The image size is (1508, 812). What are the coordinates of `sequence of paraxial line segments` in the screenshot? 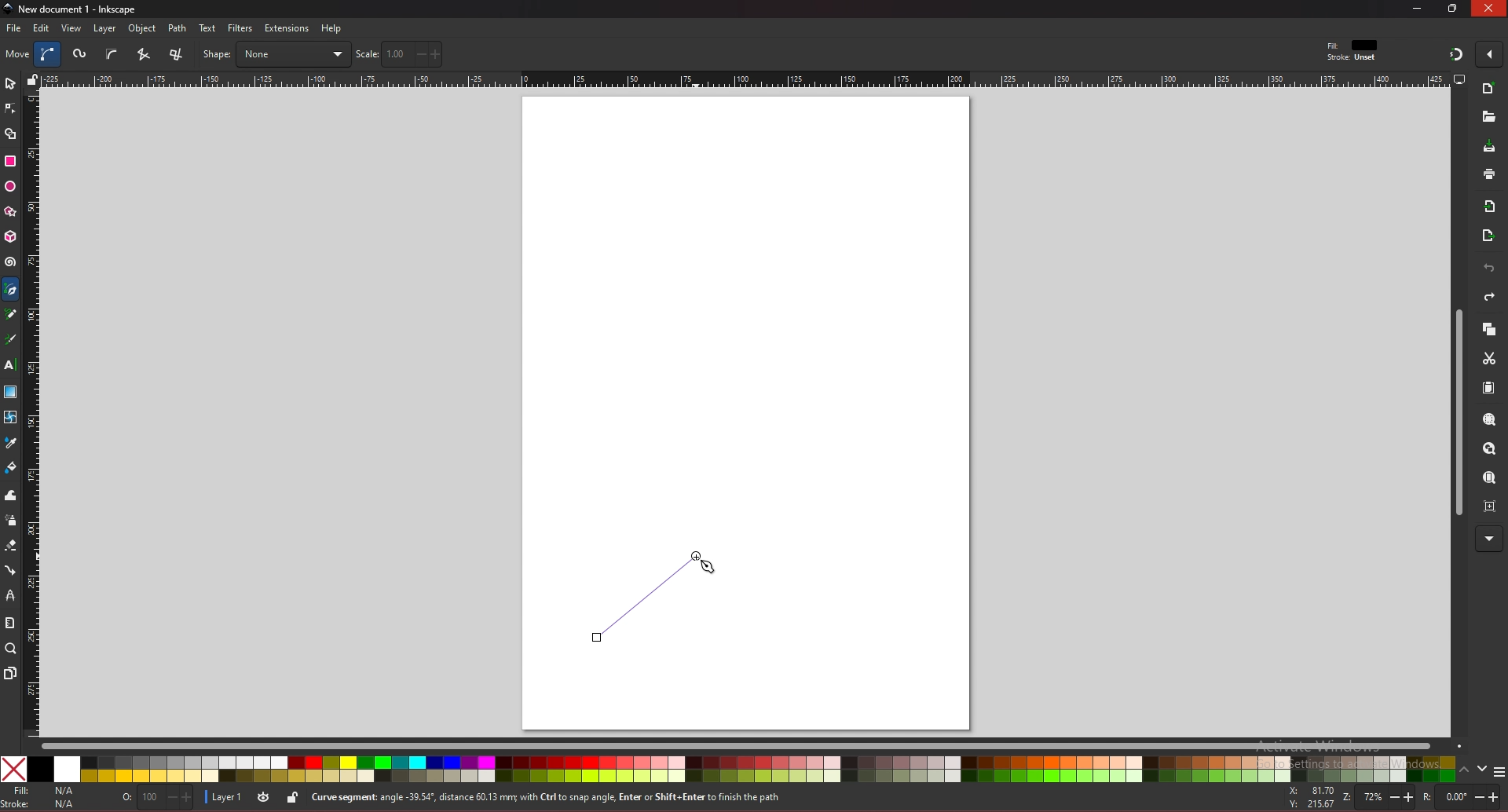 It's located at (178, 55).